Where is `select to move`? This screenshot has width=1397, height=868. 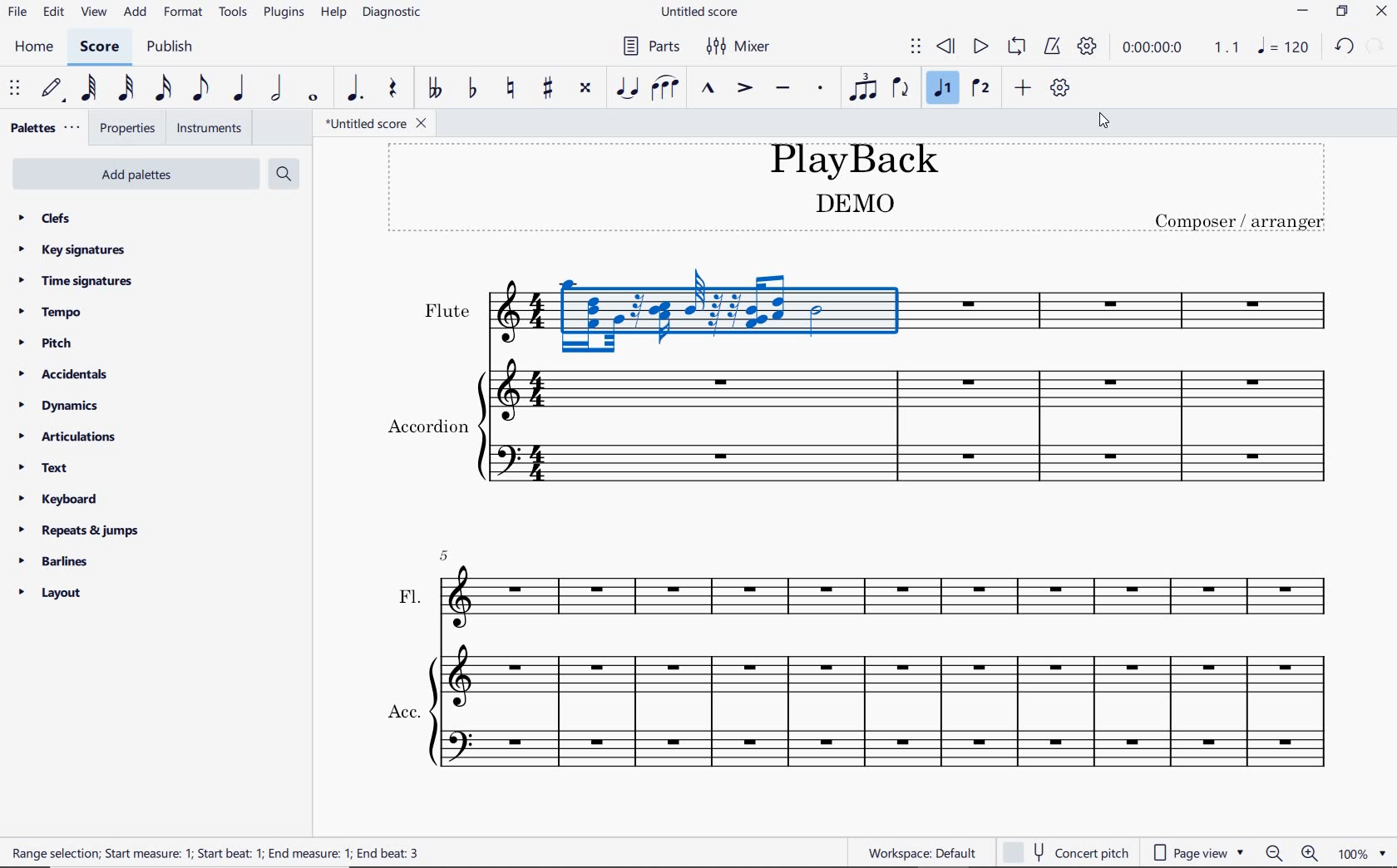 select to move is located at coordinates (16, 89).